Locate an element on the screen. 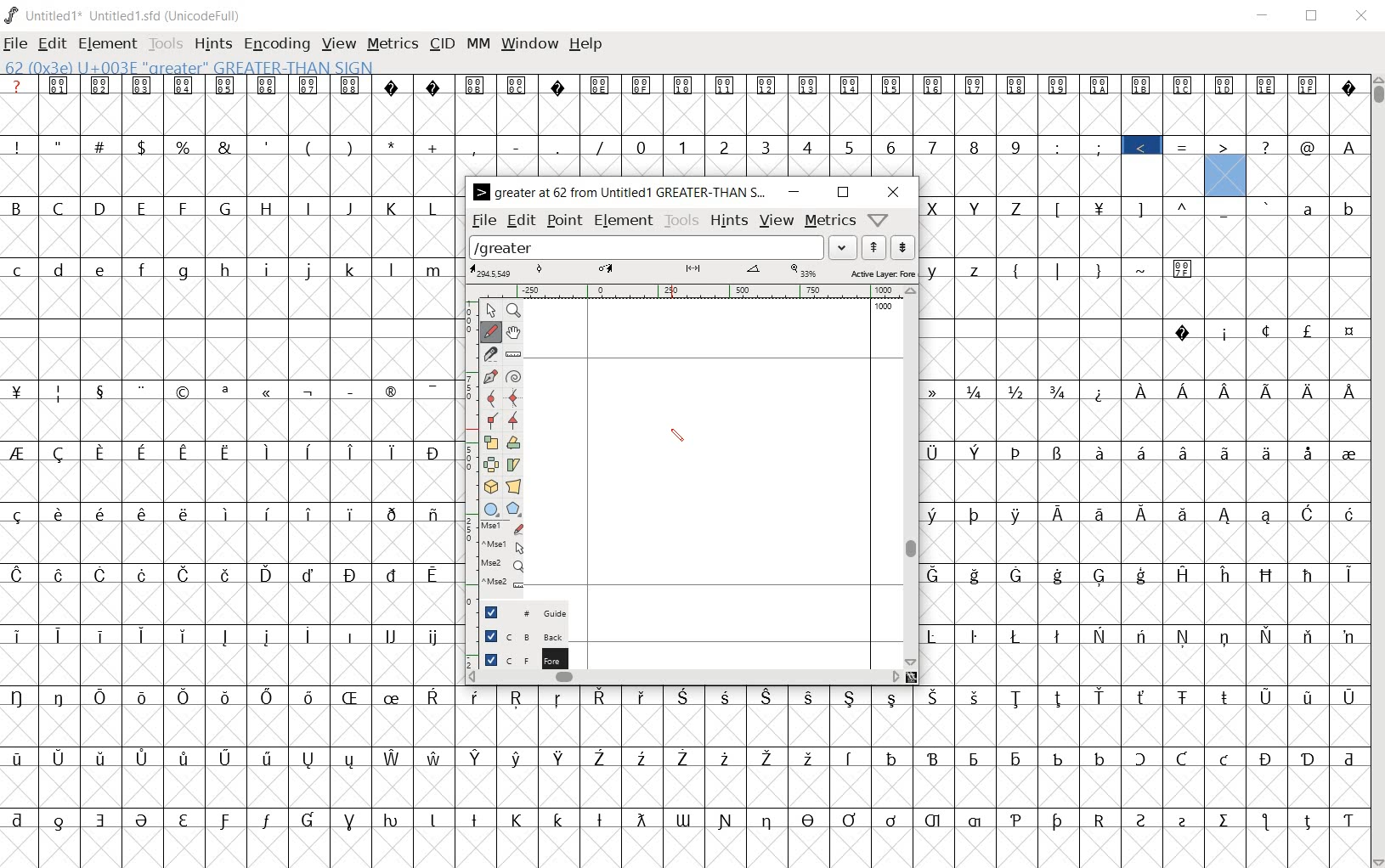 The width and height of the screenshot is (1385, 868). tools is located at coordinates (682, 222).